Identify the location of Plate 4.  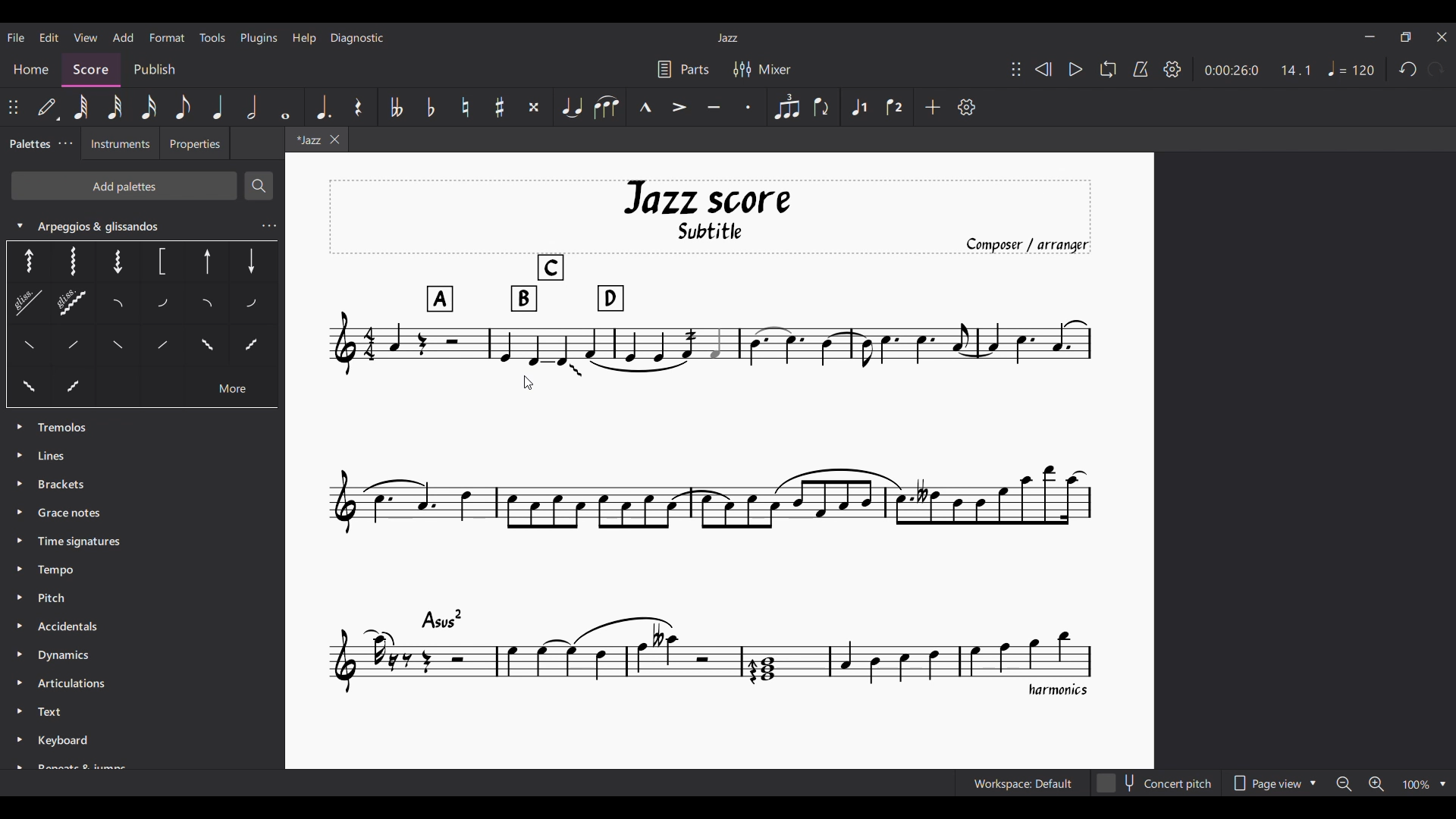
(160, 262).